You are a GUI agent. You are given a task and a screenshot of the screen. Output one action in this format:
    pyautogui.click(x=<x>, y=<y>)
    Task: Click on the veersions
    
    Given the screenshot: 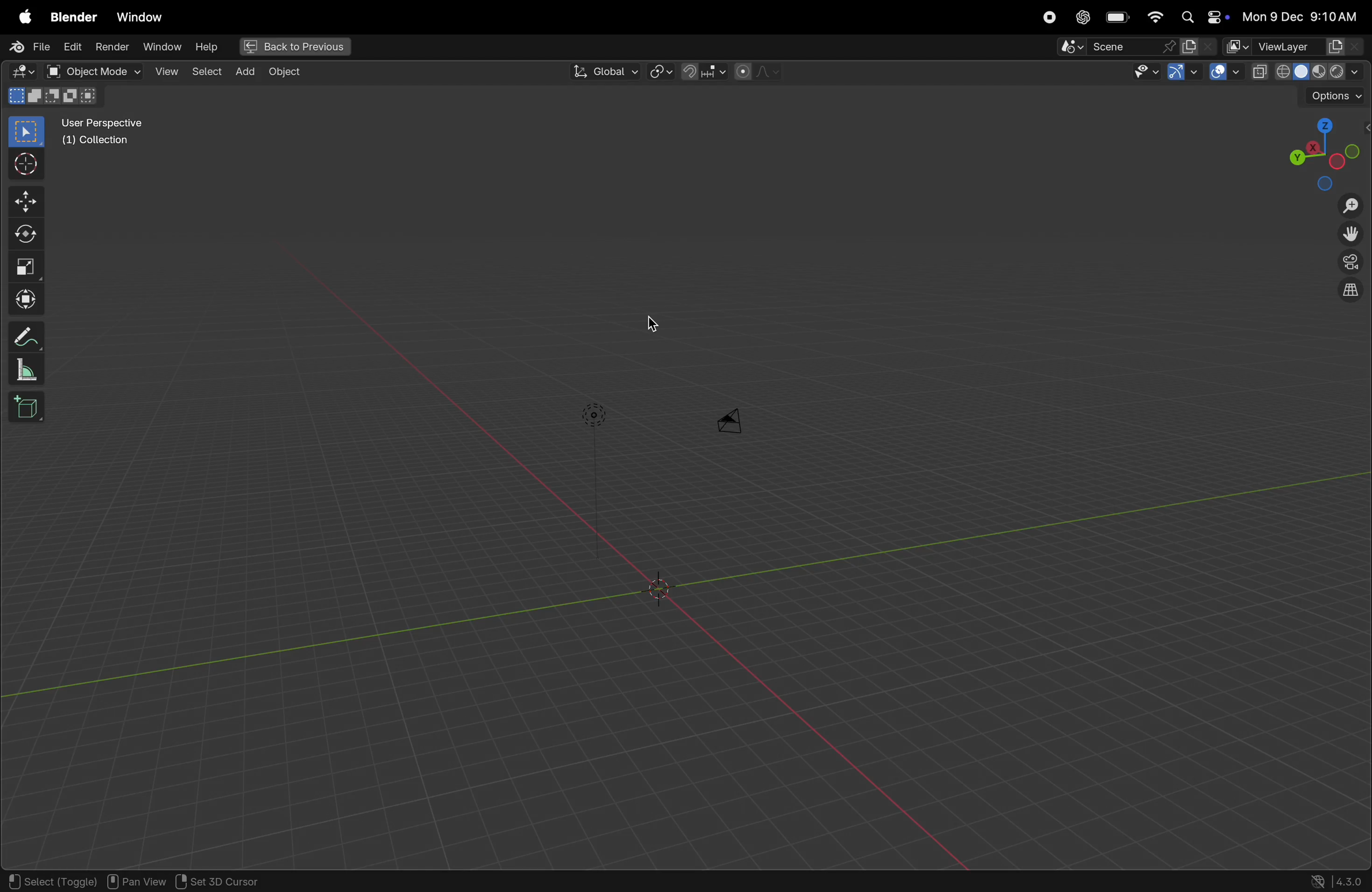 What is the action you would take?
    pyautogui.click(x=1337, y=880)
    